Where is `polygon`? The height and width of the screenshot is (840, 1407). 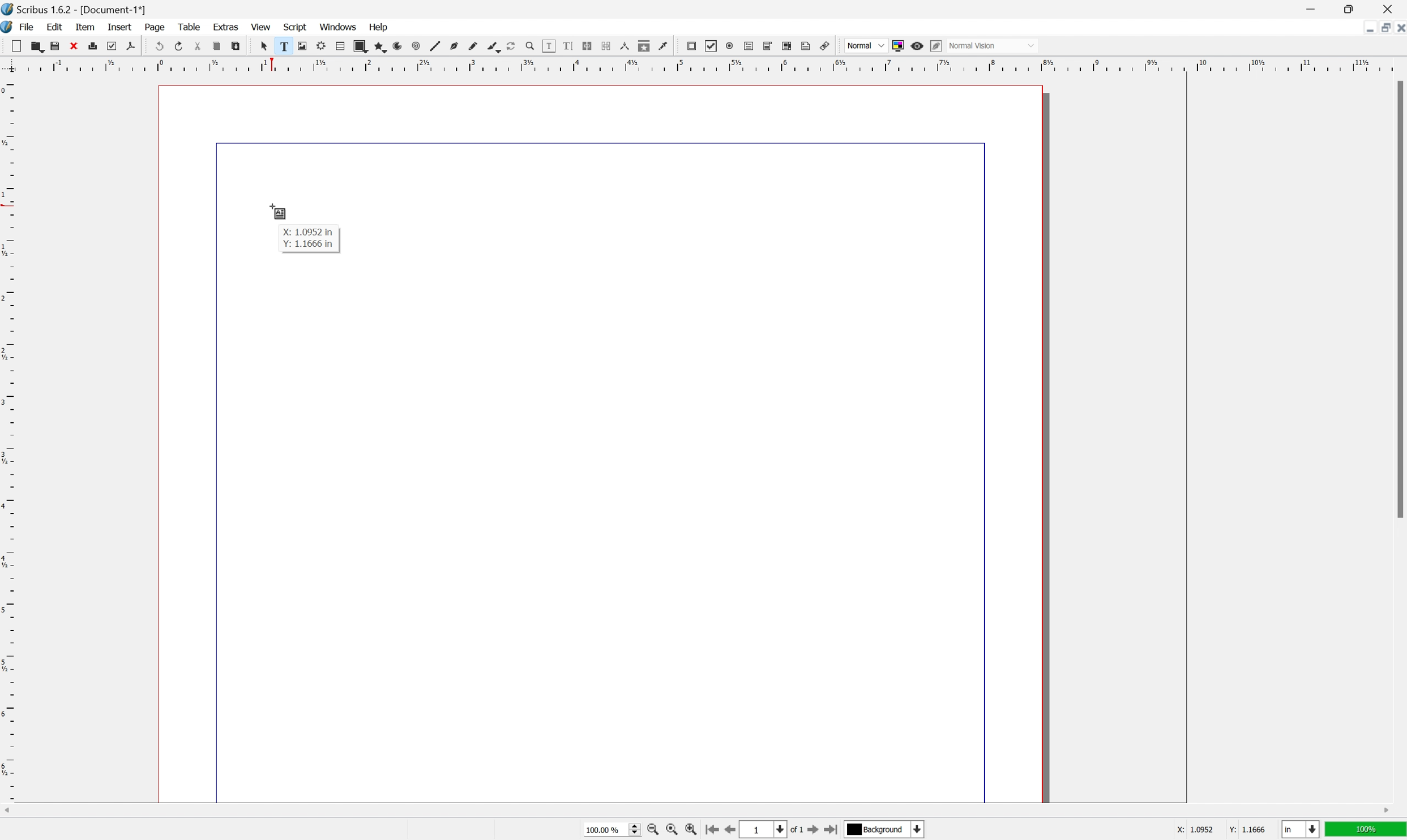 polygon is located at coordinates (382, 48).